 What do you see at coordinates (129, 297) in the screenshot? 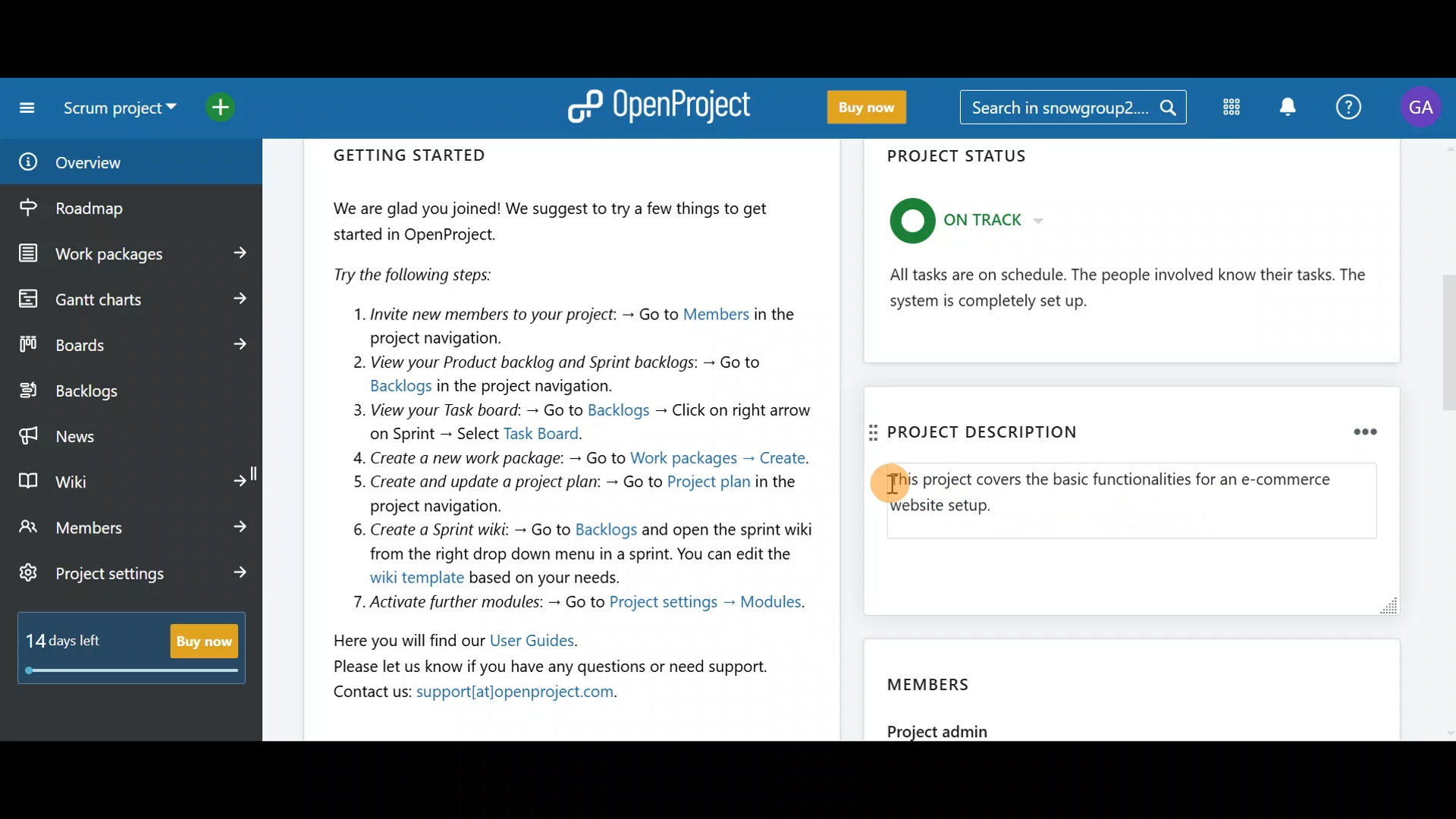
I see `Gantt charts` at bounding box center [129, 297].